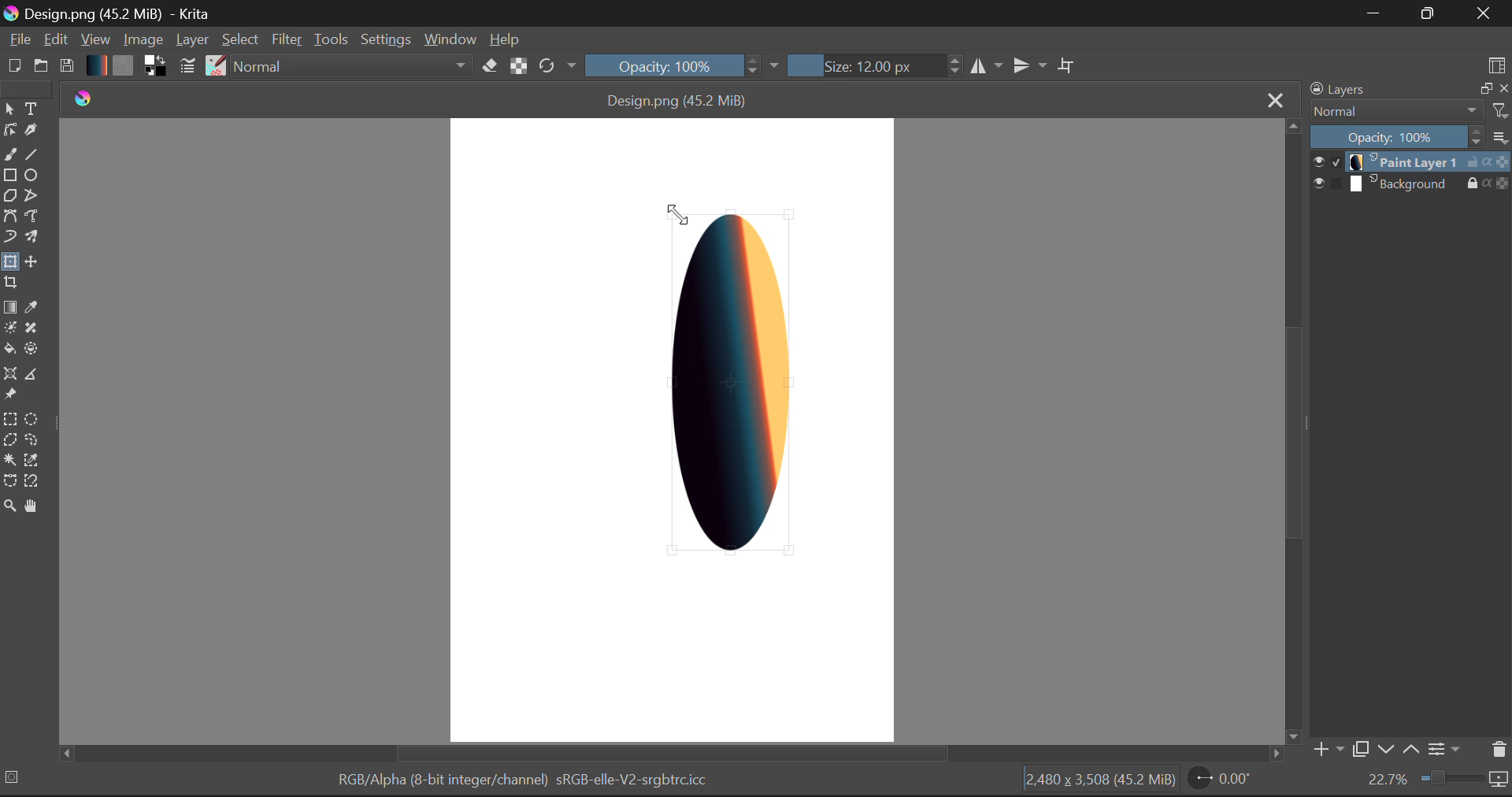 The height and width of the screenshot is (797, 1512). Describe the element at coordinates (32, 109) in the screenshot. I see `Text` at that location.